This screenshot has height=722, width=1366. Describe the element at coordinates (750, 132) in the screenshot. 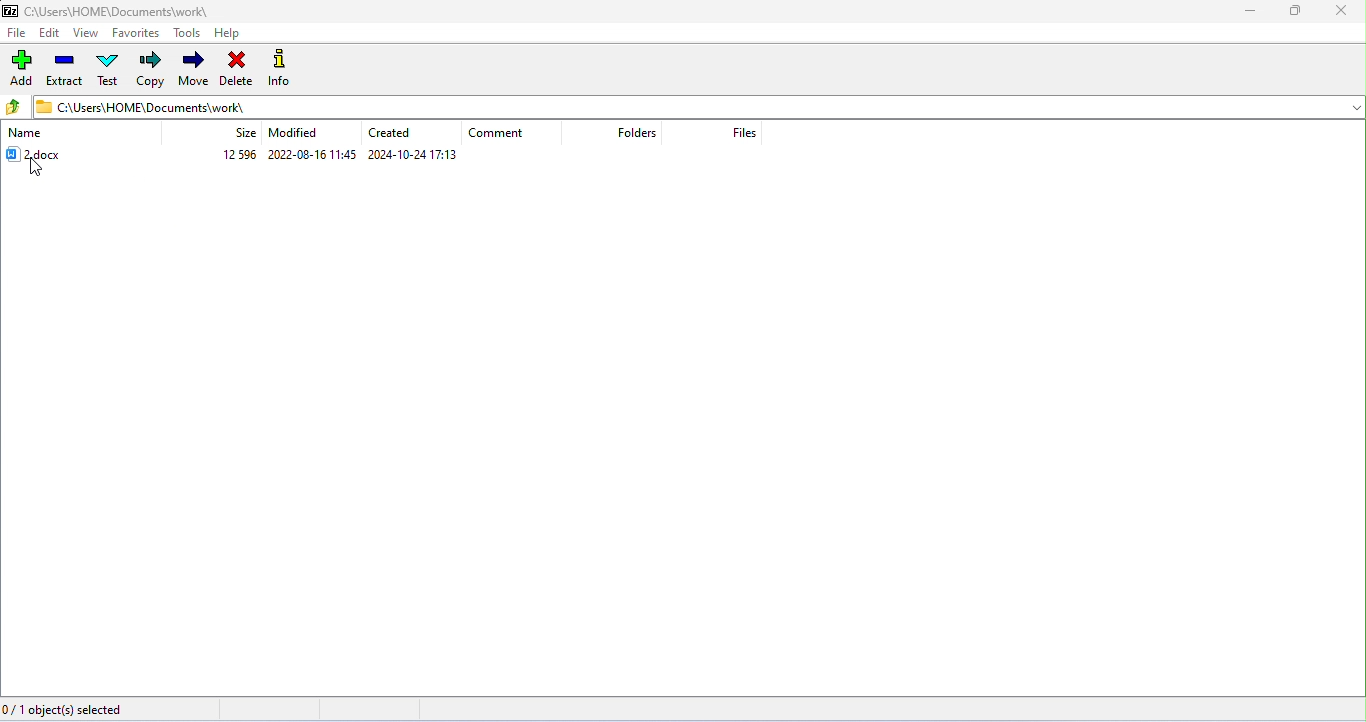

I see `files` at that location.